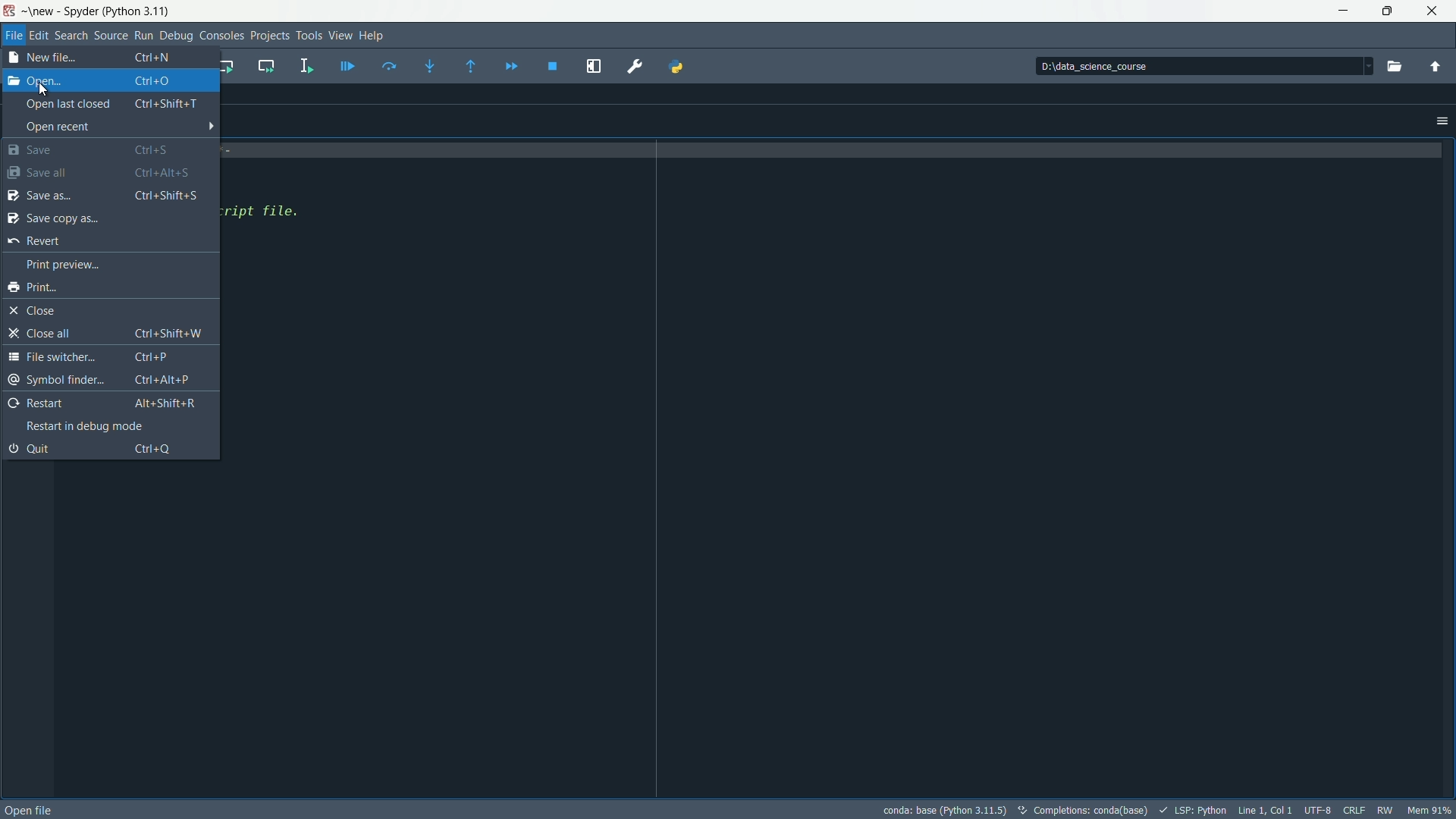 This screenshot has width=1456, height=819. I want to click on maximize current panel, so click(594, 66).